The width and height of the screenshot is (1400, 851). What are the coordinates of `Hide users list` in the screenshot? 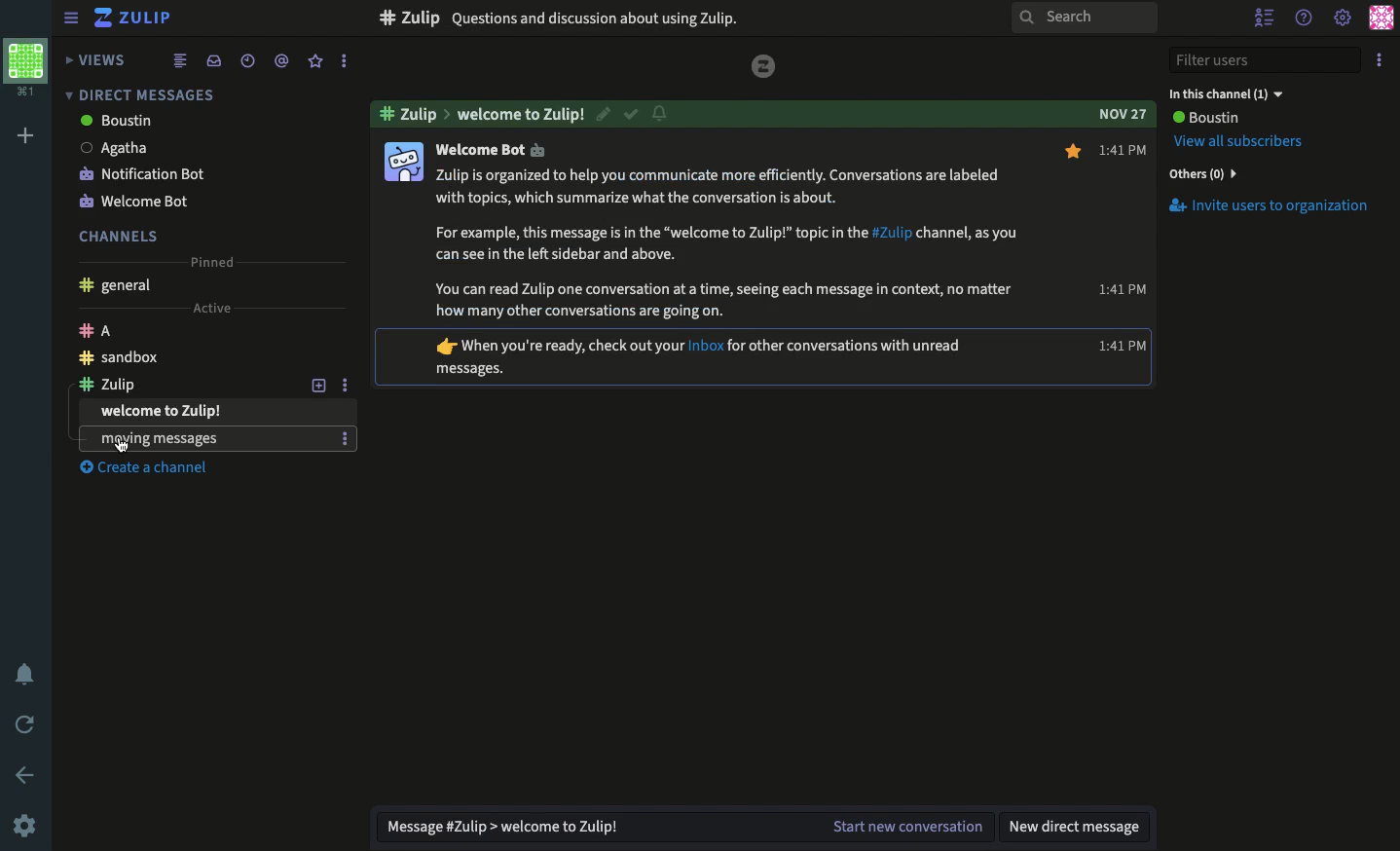 It's located at (1267, 19).